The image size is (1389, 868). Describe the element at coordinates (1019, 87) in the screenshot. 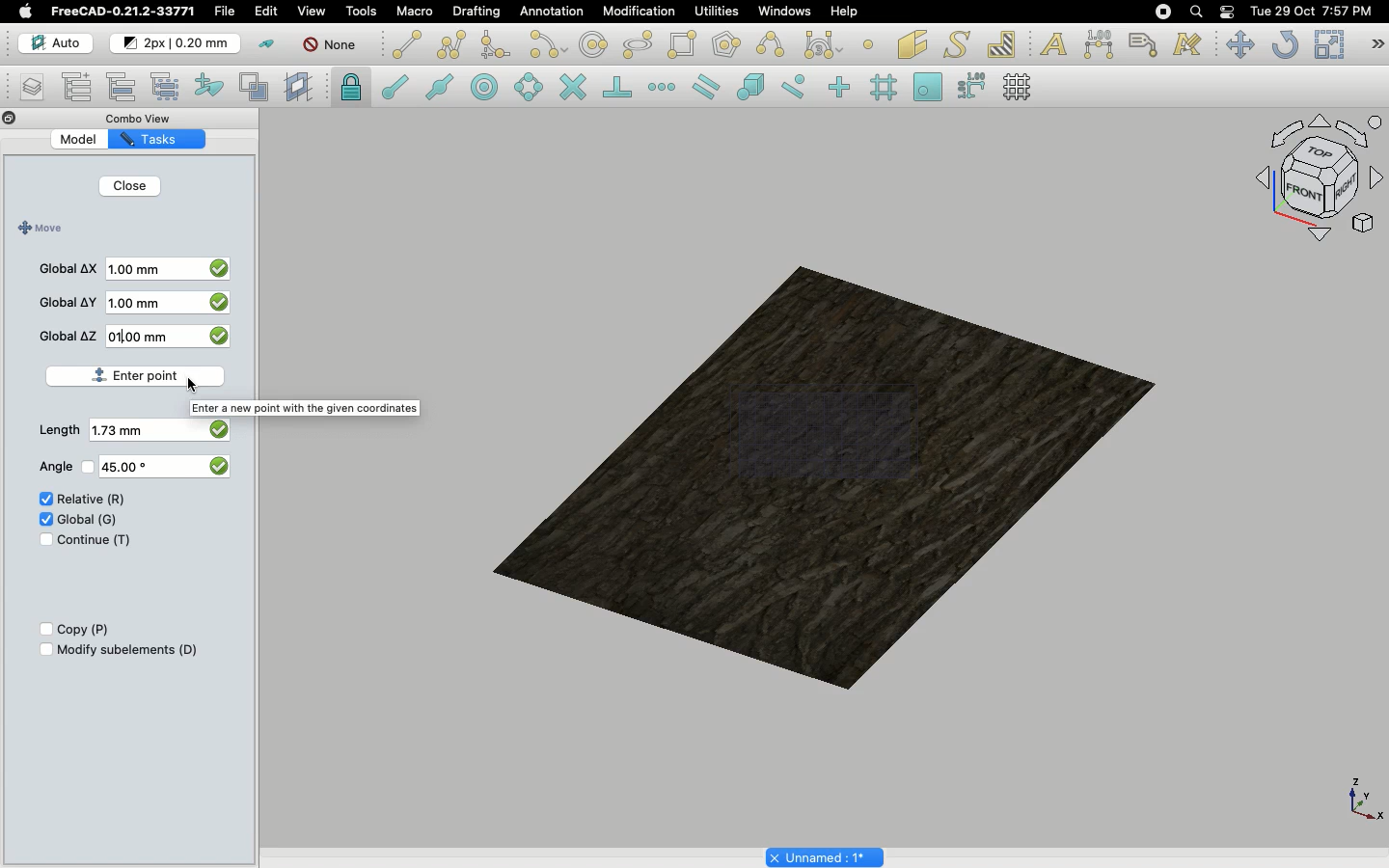

I see `Toggle grid` at that location.